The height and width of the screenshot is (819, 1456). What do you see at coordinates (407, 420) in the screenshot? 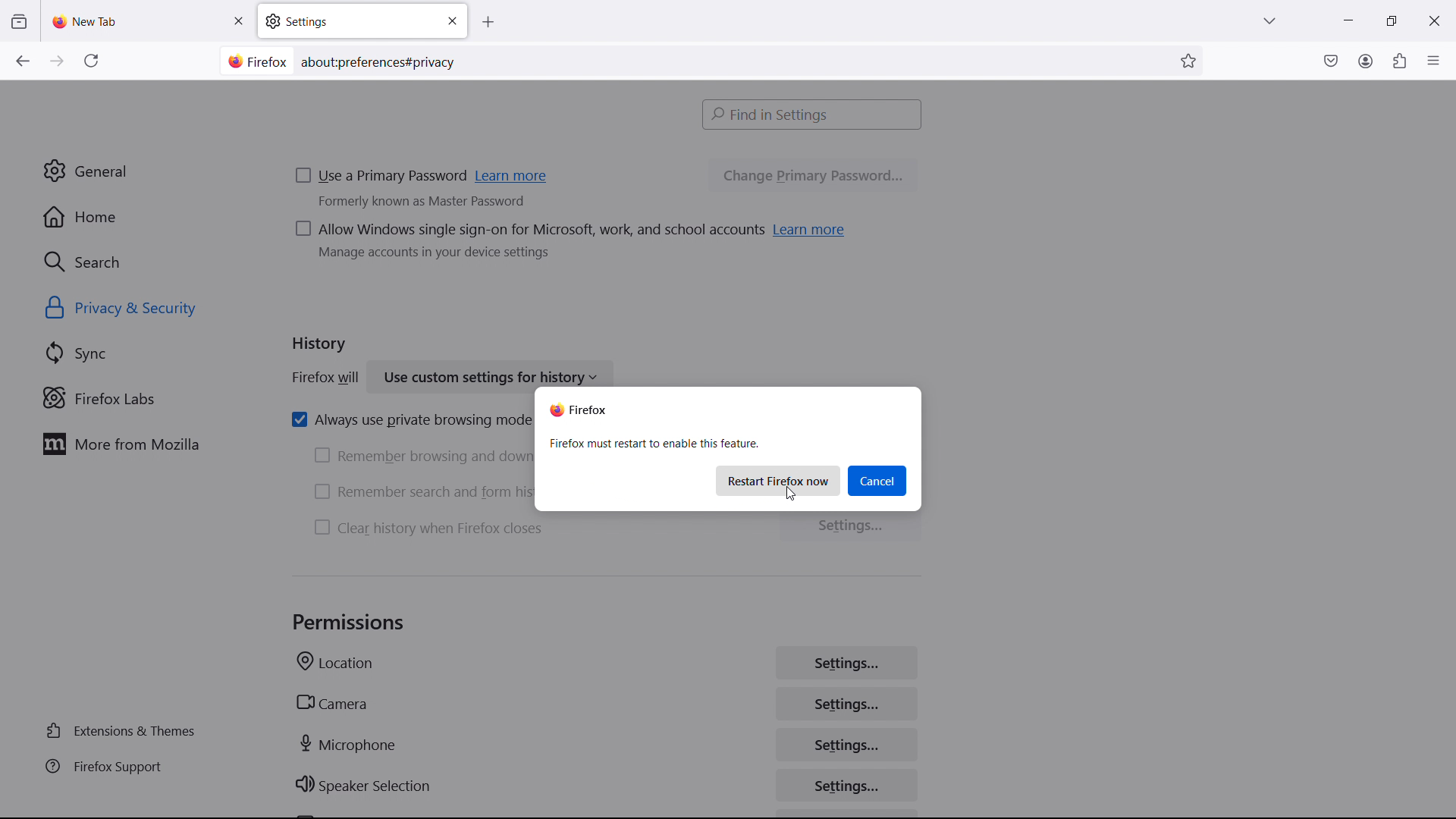
I see `checkbox ticked` at bounding box center [407, 420].